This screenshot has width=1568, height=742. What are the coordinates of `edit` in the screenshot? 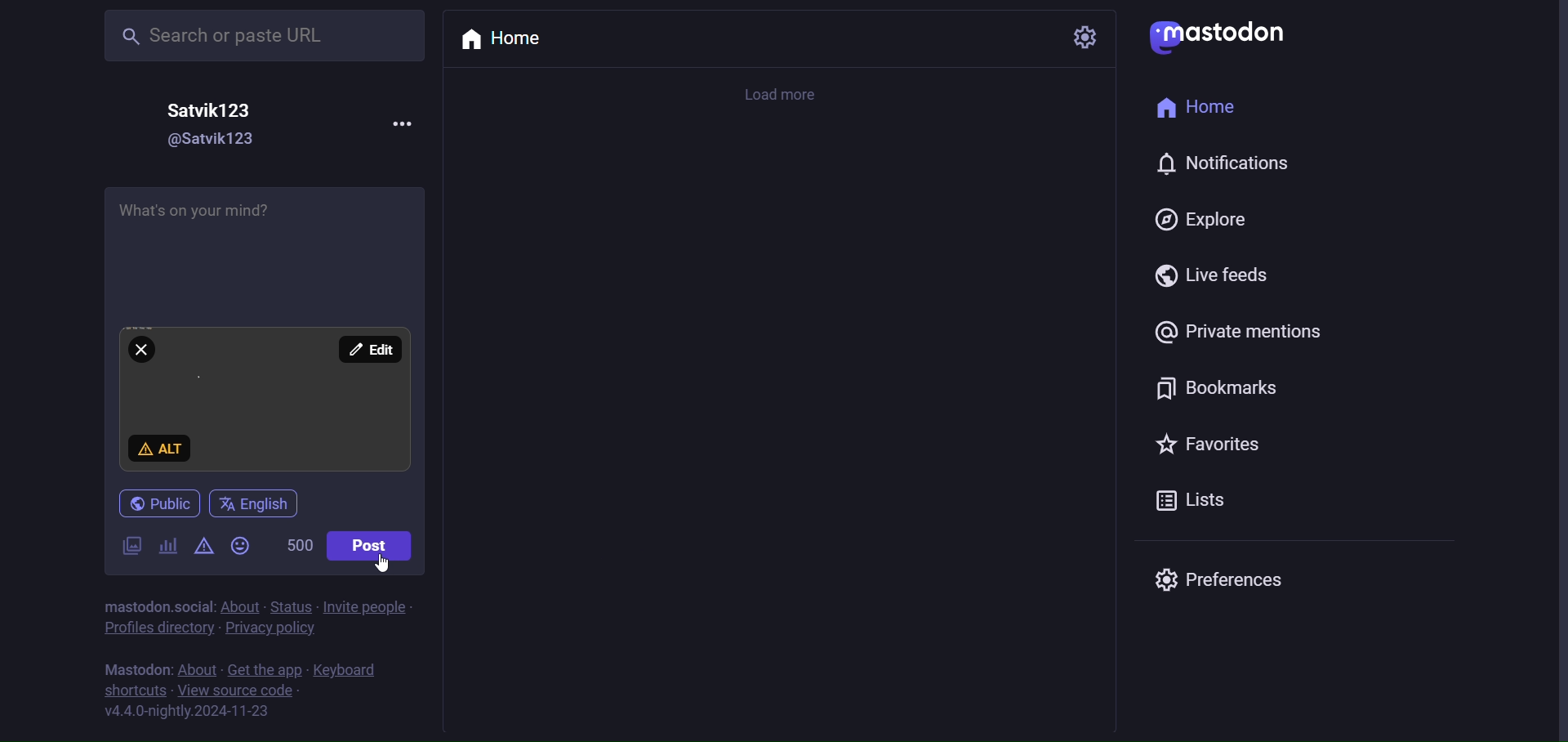 It's located at (366, 348).